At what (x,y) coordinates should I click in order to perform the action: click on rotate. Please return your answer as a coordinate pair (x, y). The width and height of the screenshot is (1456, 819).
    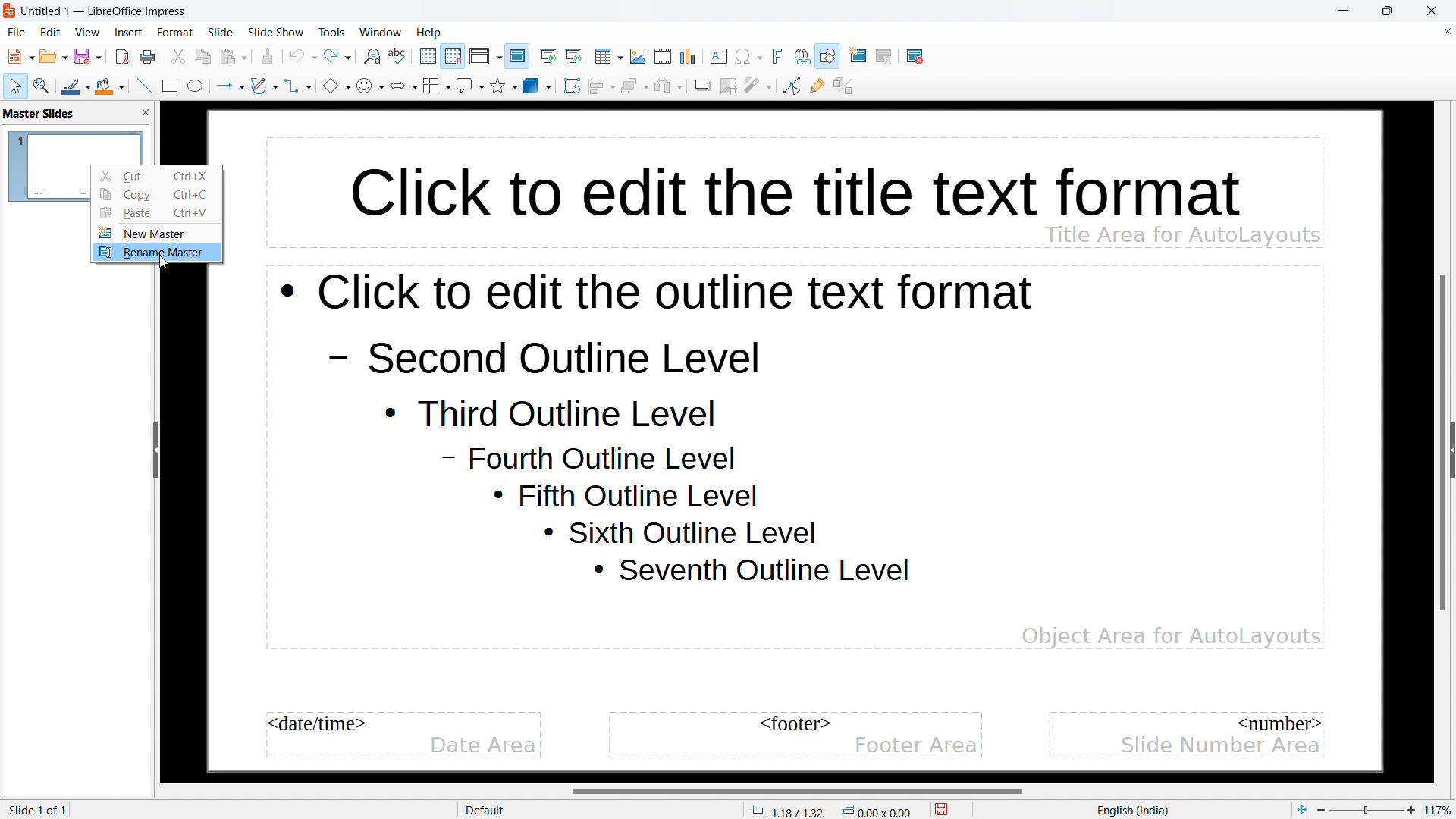
    Looking at the image, I should click on (572, 86).